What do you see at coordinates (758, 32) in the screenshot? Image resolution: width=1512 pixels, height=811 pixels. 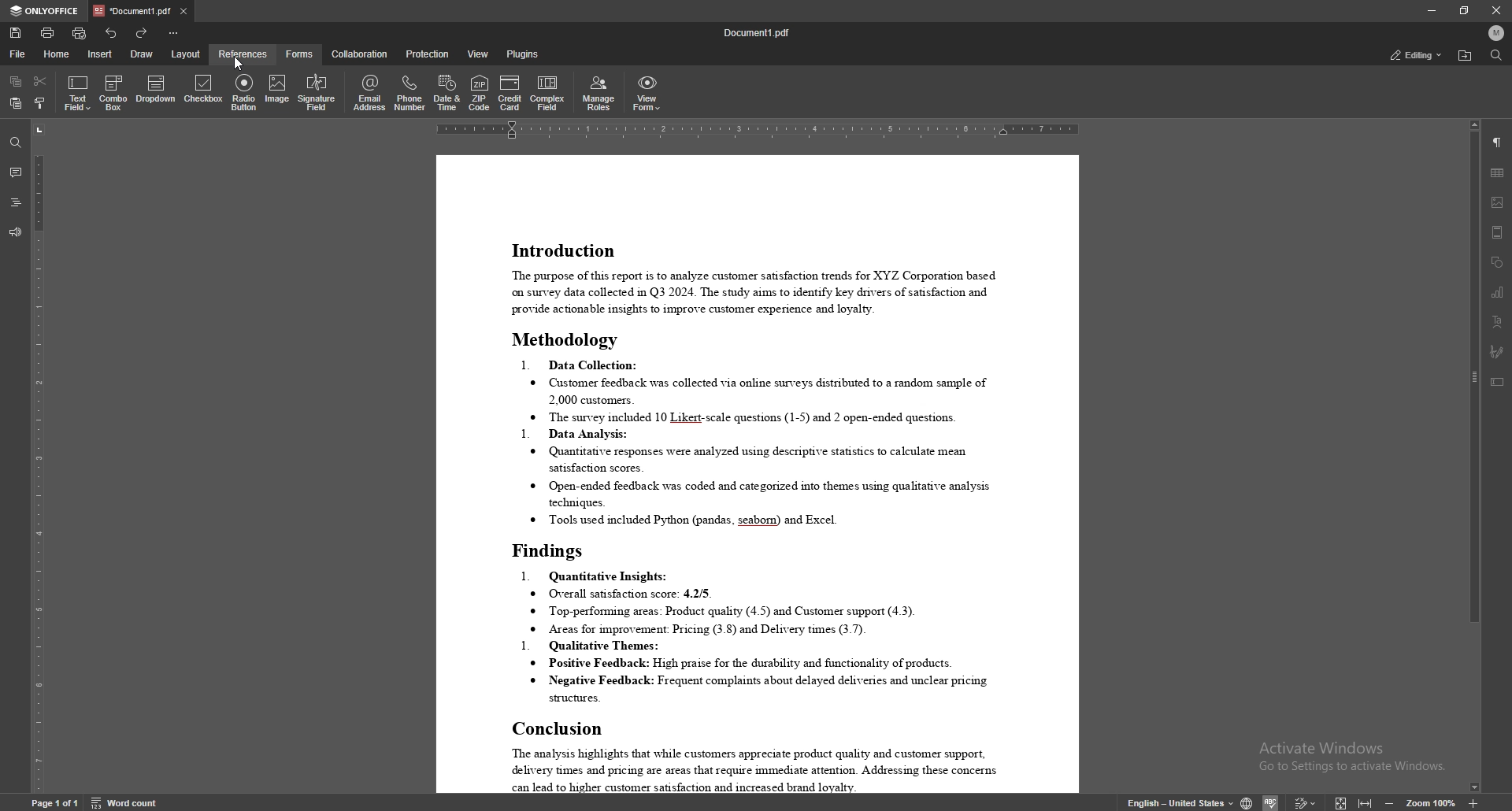 I see `file name` at bounding box center [758, 32].